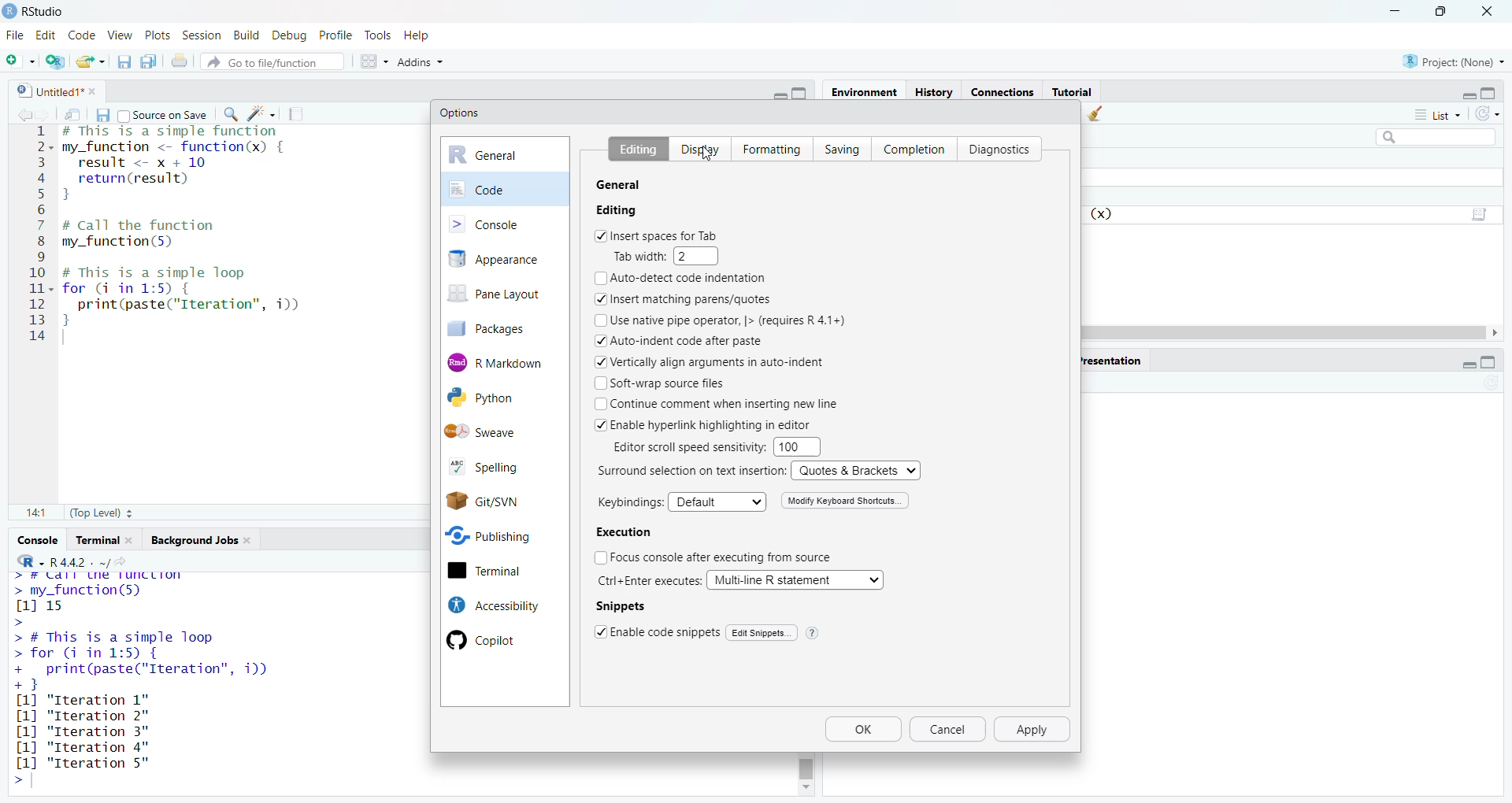 Image resolution: width=1512 pixels, height=803 pixels. Describe the element at coordinates (505, 259) in the screenshot. I see `appearance` at that location.